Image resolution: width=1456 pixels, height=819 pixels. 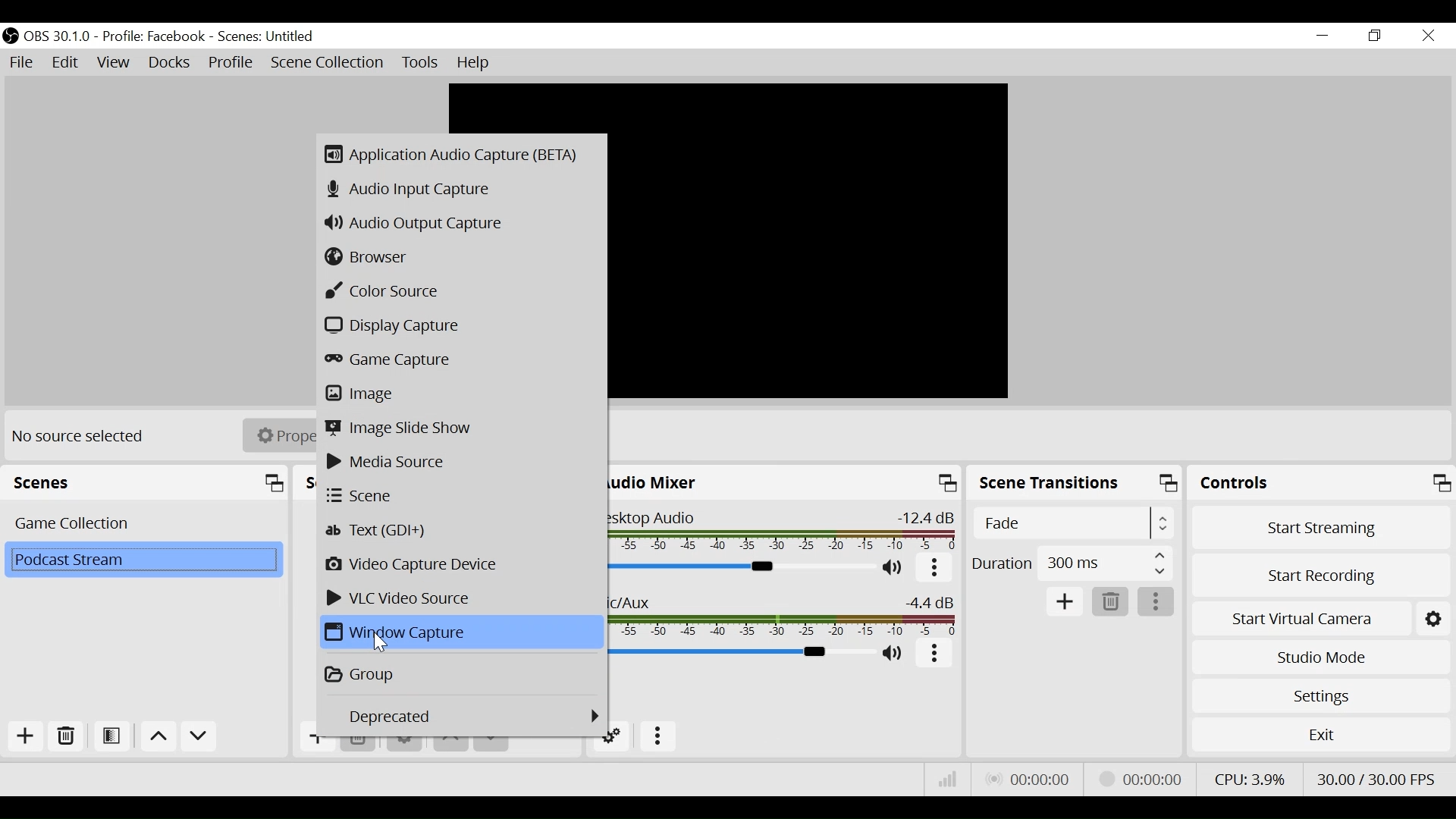 What do you see at coordinates (24, 64) in the screenshot?
I see `File` at bounding box center [24, 64].